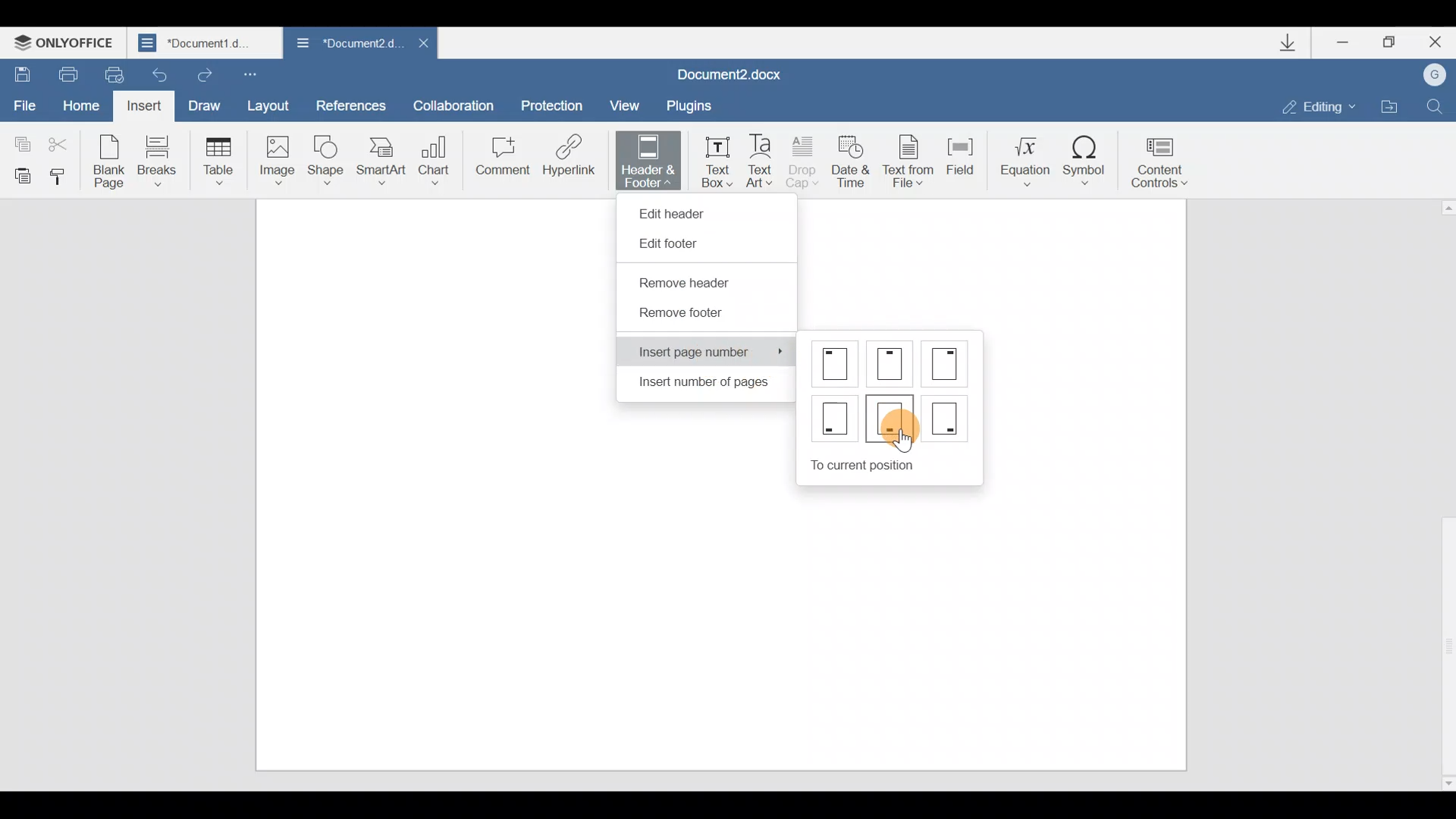 This screenshot has width=1456, height=819. Describe the element at coordinates (700, 385) in the screenshot. I see `Insert number of pages` at that location.